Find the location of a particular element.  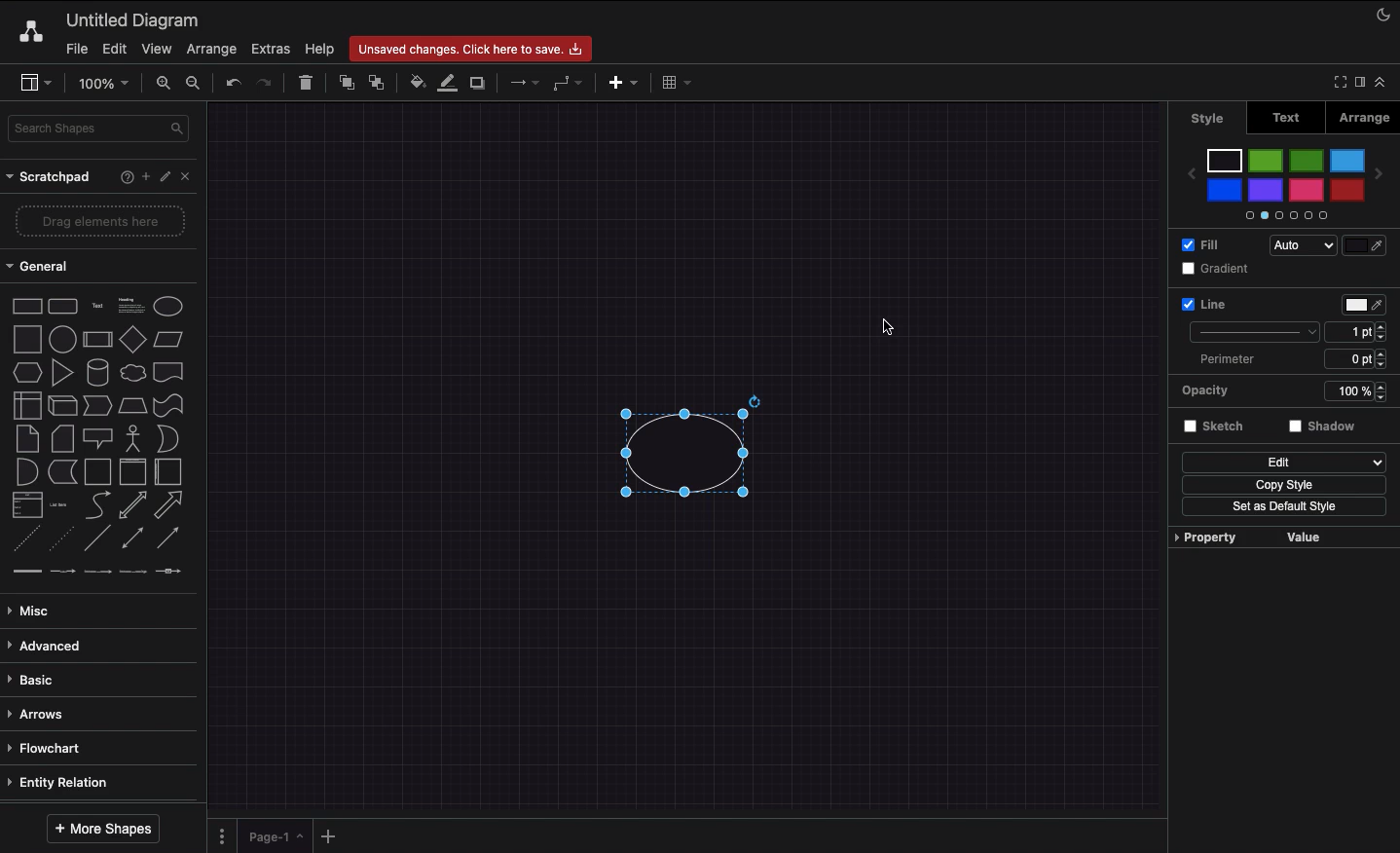

Vertical container is located at coordinates (133, 470).